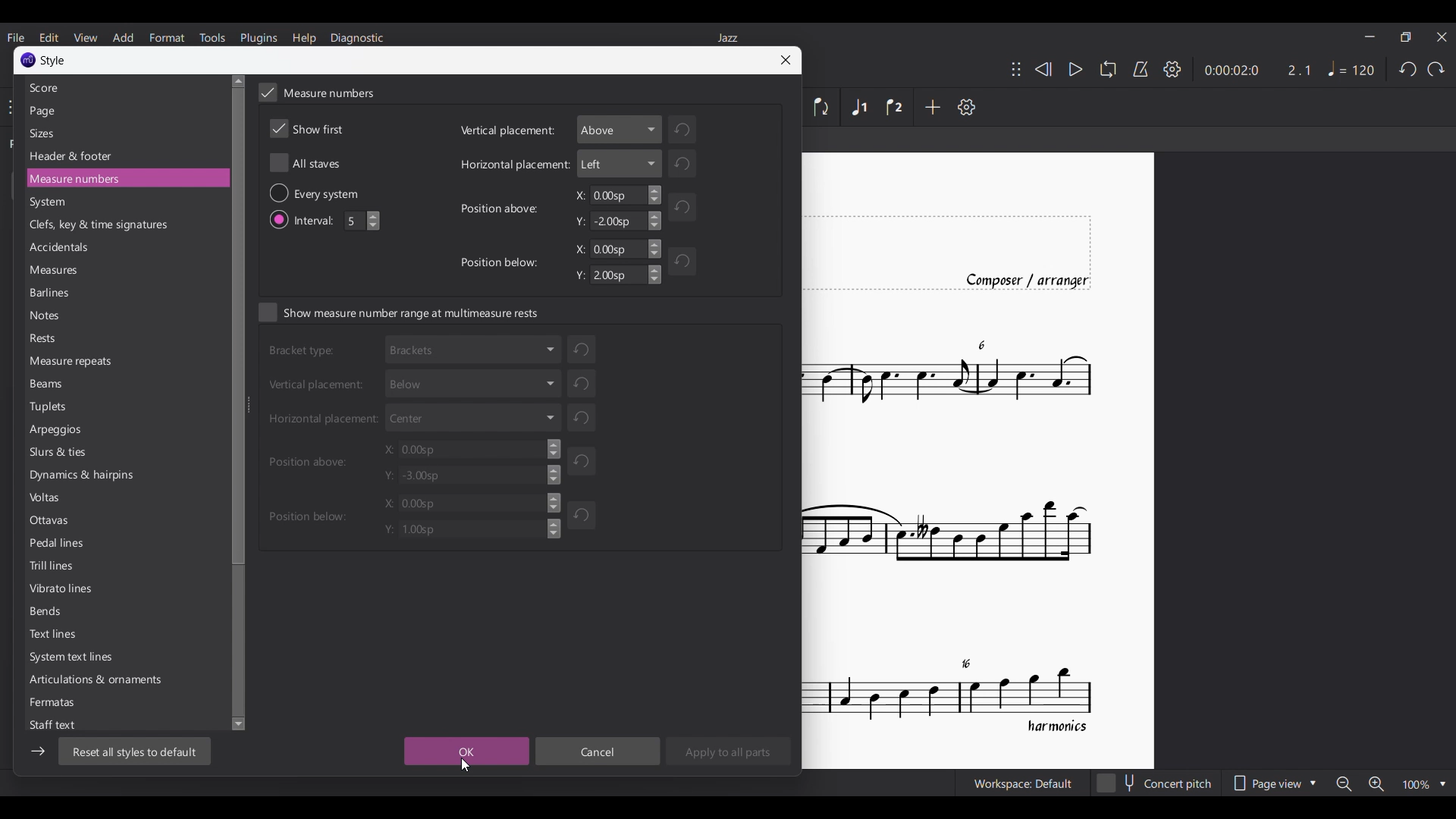 The image size is (1456, 819). Describe the element at coordinates (1391, 783) in the screenshot. I see `Zoom options` at that location.